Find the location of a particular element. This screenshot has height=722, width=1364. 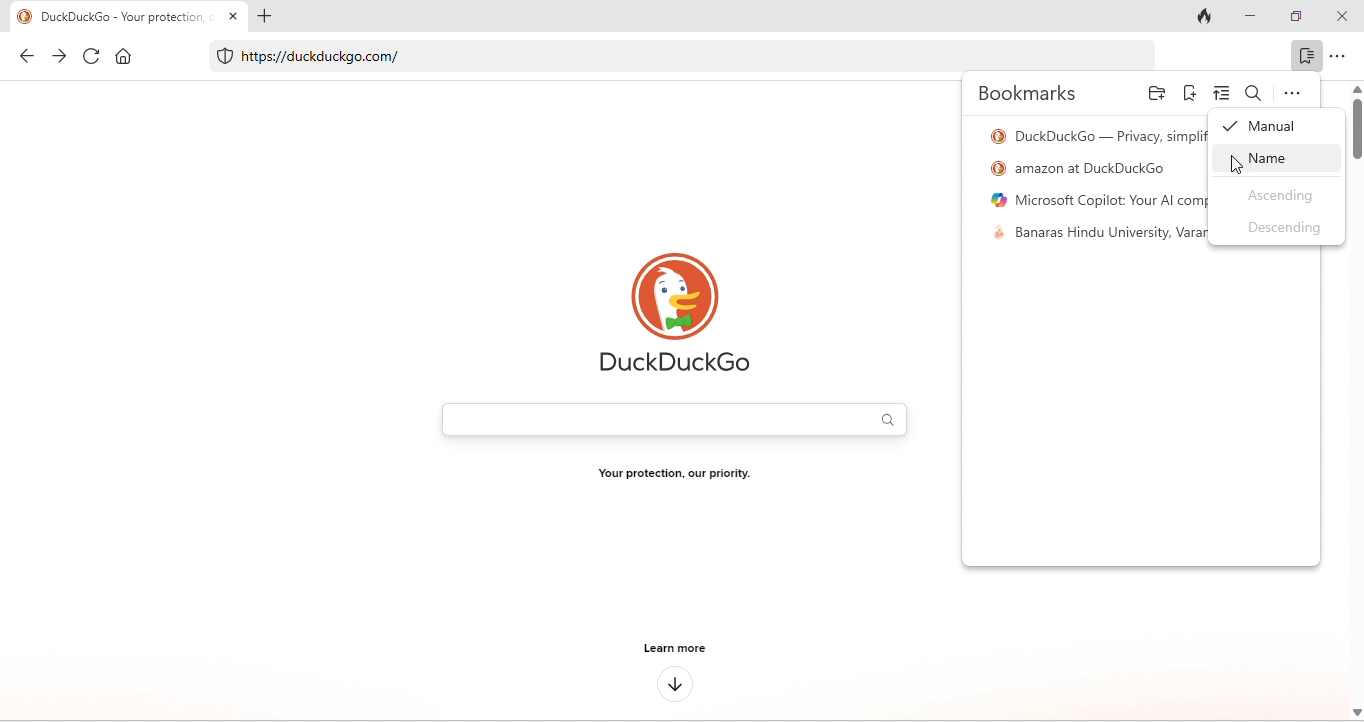

bookmarks is located at coordinates (1031, 96).